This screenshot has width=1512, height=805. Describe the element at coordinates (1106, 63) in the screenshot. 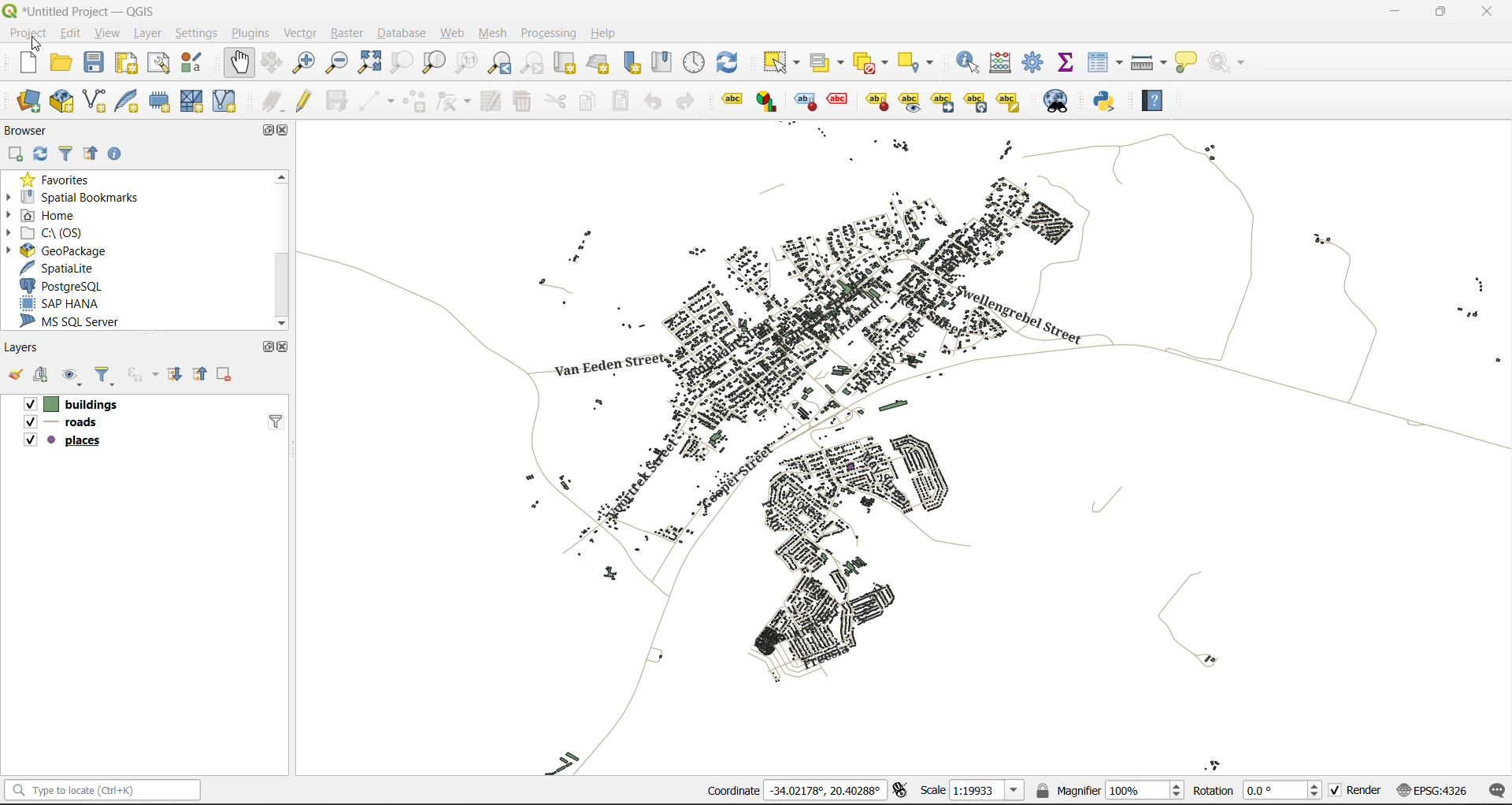

I see `attributes table` at that location.